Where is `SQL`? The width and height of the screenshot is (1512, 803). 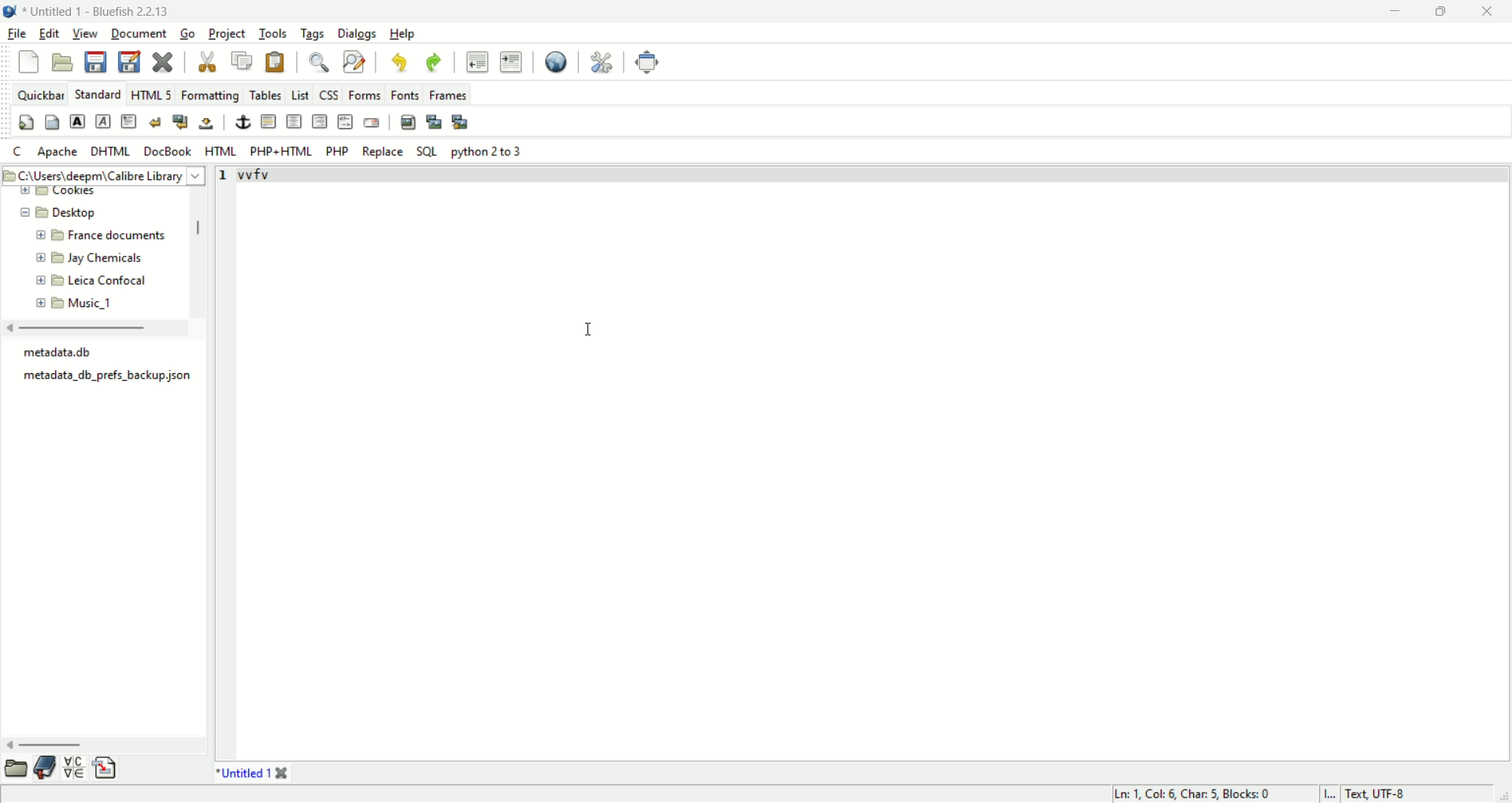 SQL is located at coordinates (427, 151).